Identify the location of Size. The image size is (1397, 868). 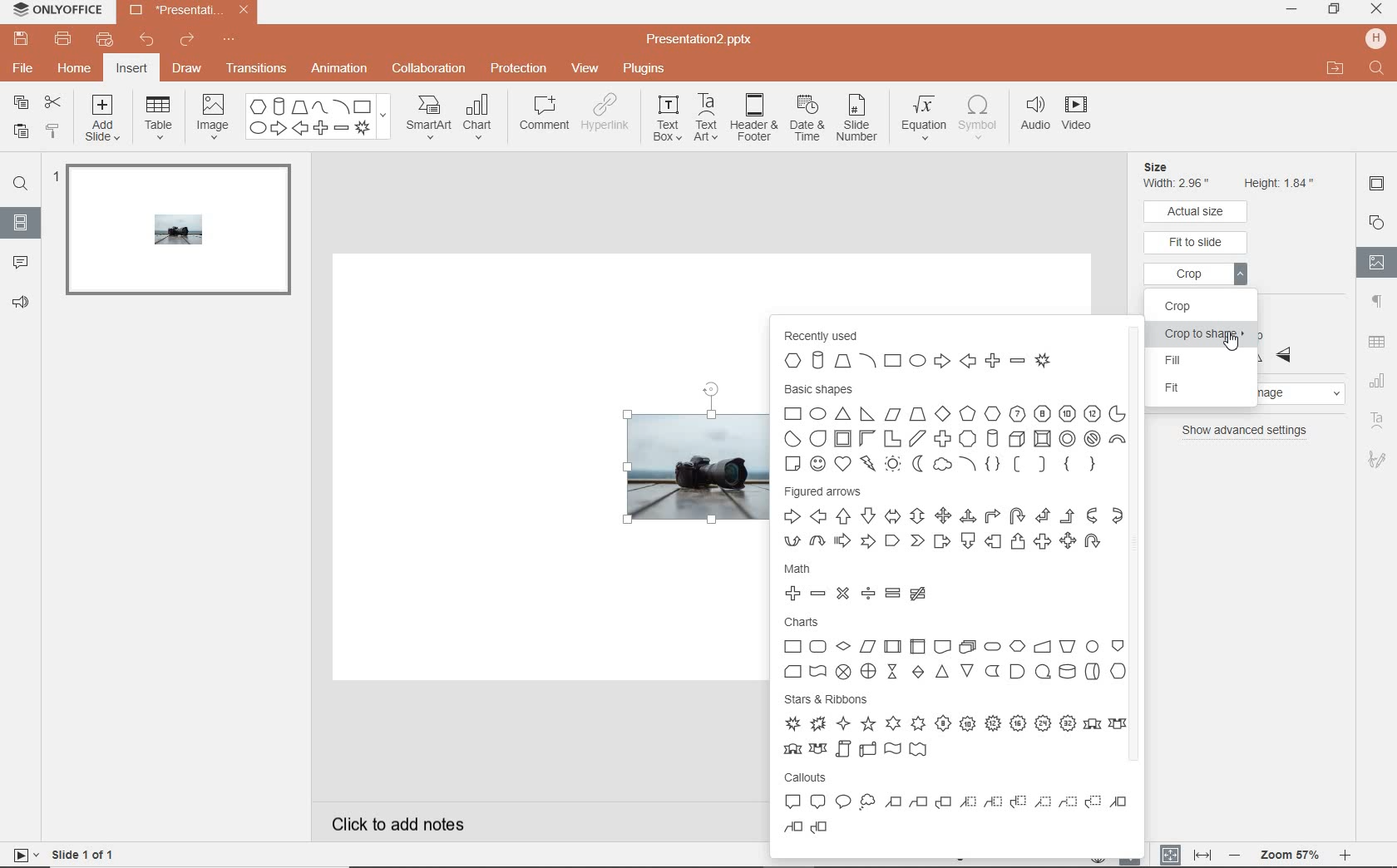
(1176, 166).